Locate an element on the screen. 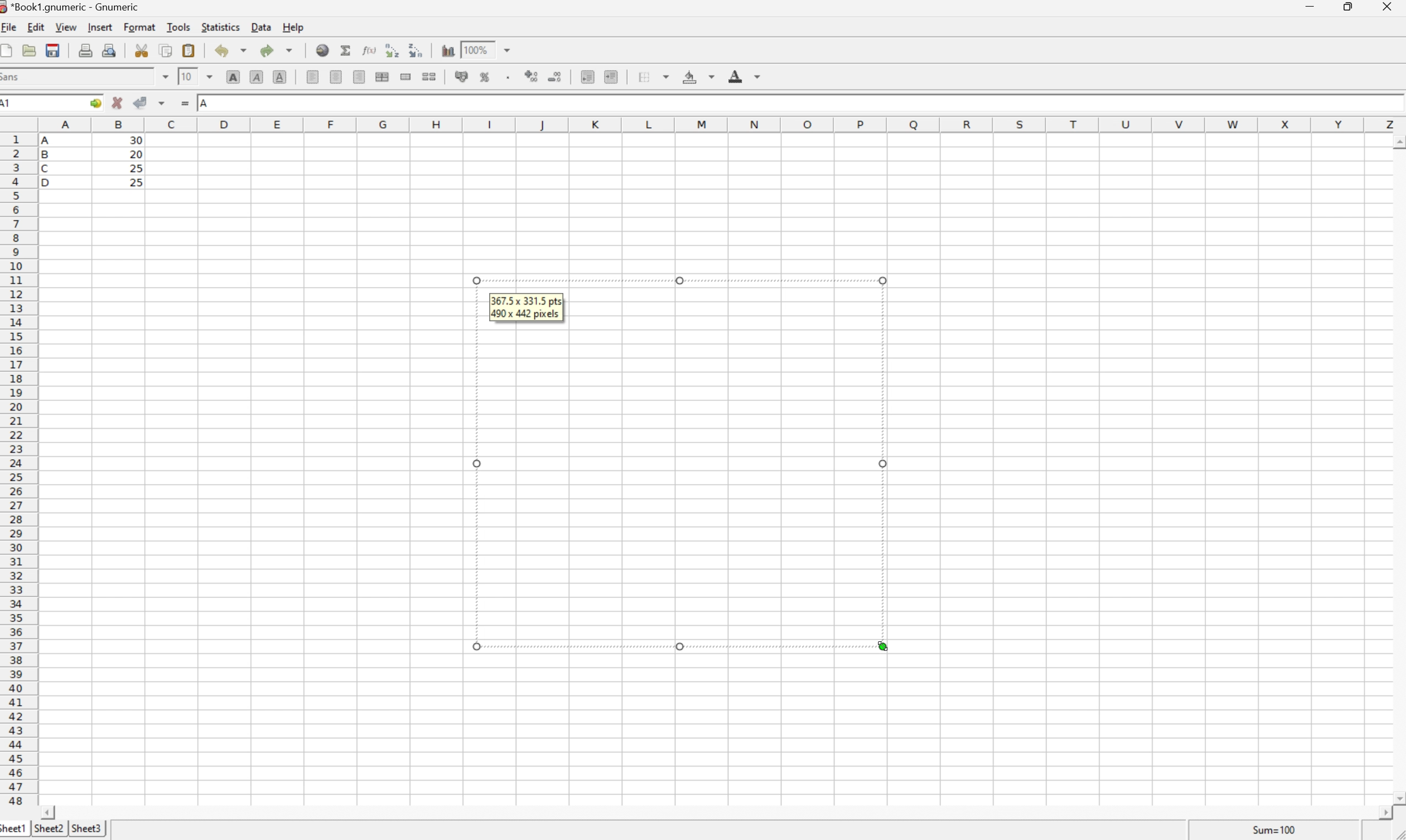 The height and width of the screenshot is (840, 1406). Scroll Left is located at coordinates (50, 812).